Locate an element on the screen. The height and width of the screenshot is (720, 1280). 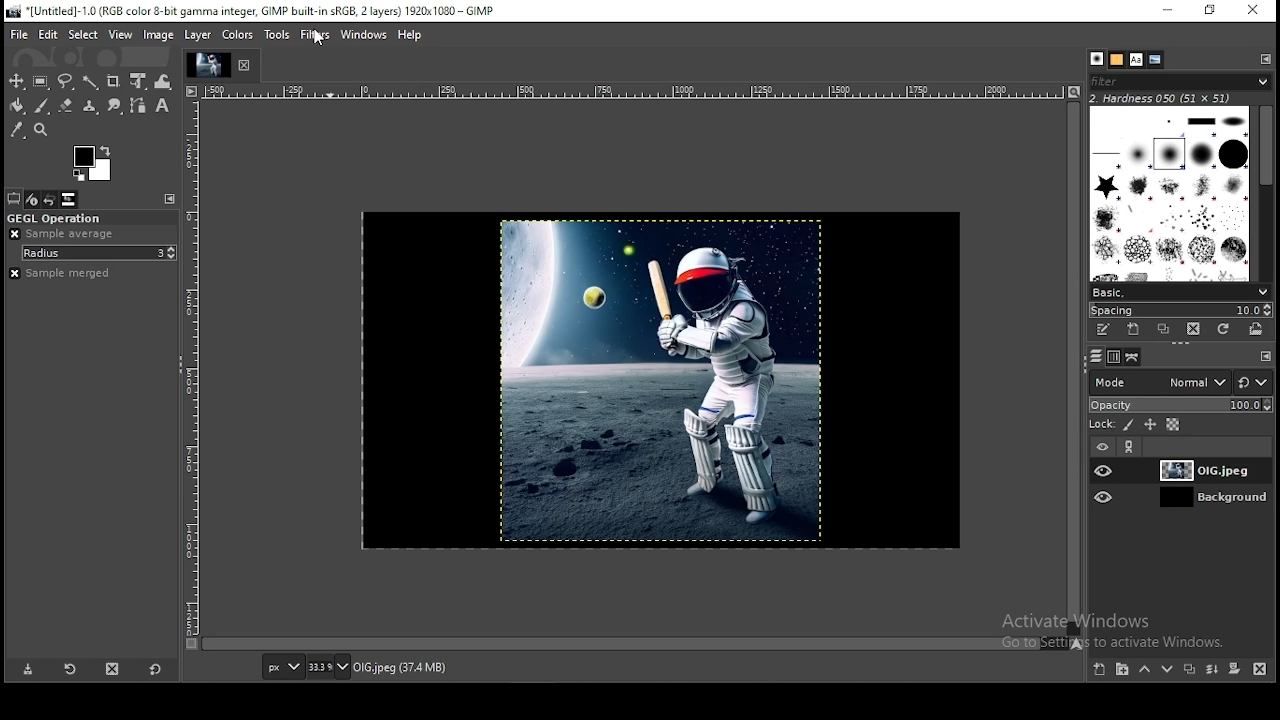
document history is located at coordinates (1155, 60).